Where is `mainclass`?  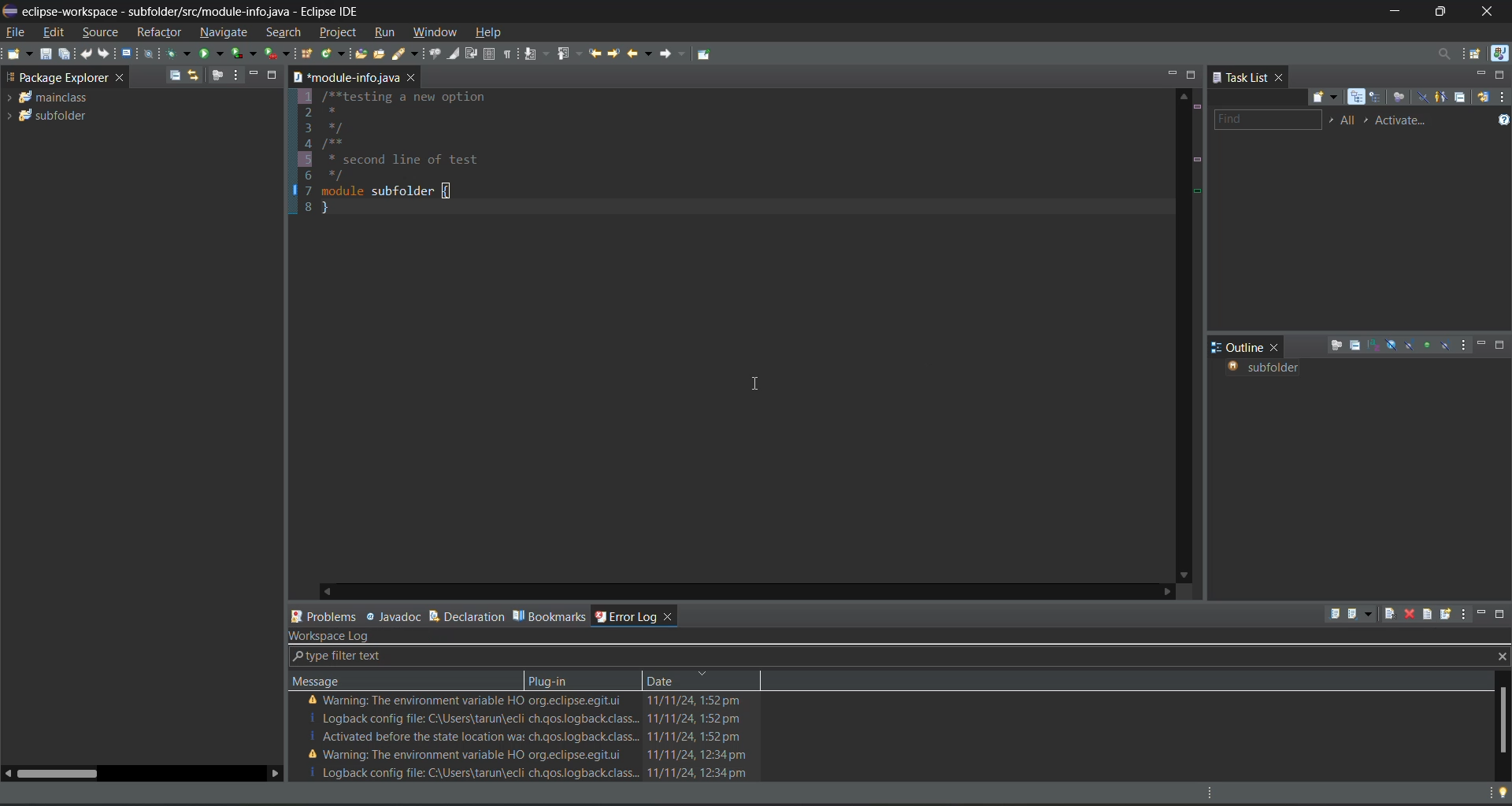
mainclass is located at coordinates (55, 100).